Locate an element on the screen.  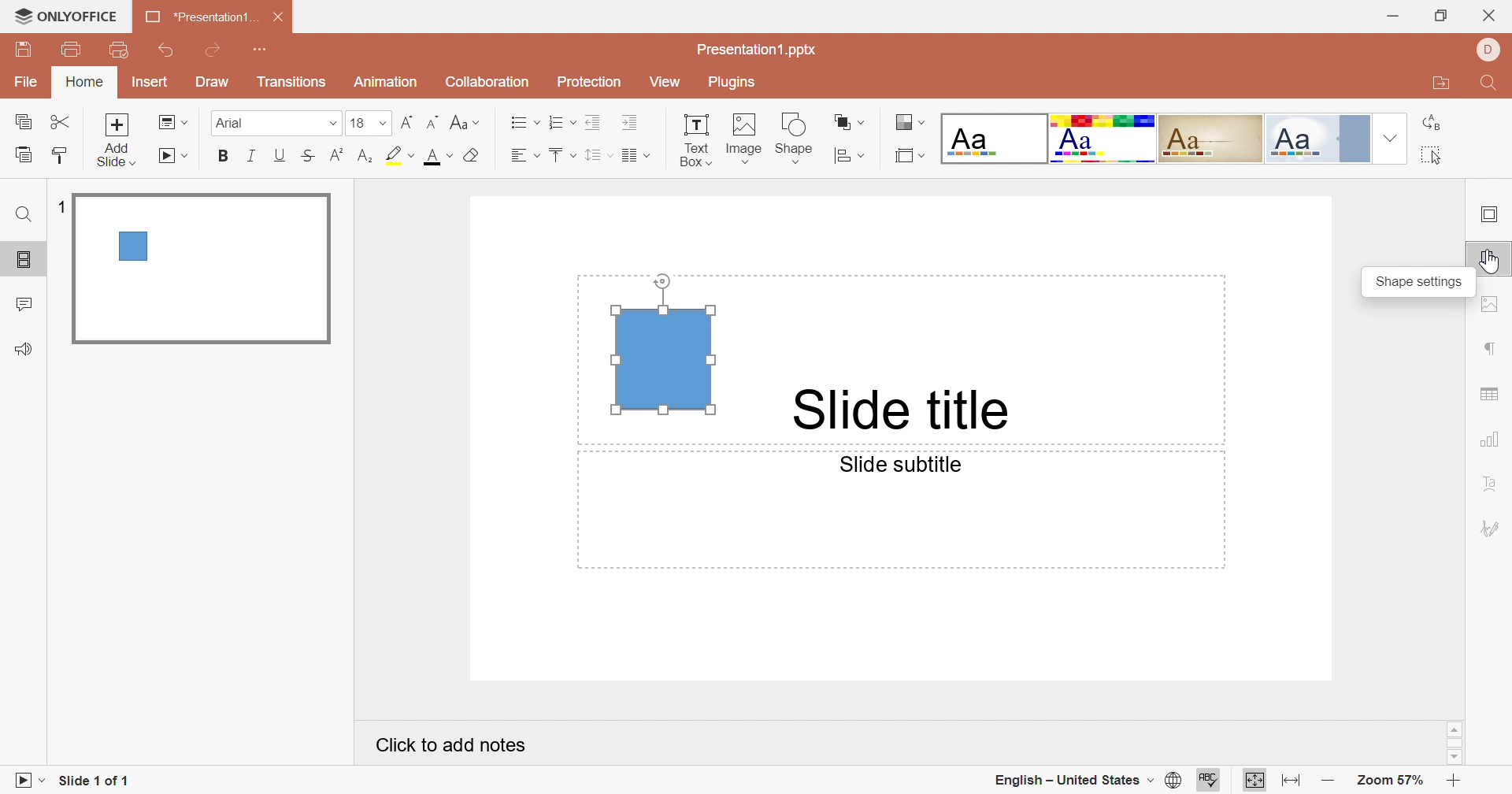
Underline is located at coordinates (280, 153).